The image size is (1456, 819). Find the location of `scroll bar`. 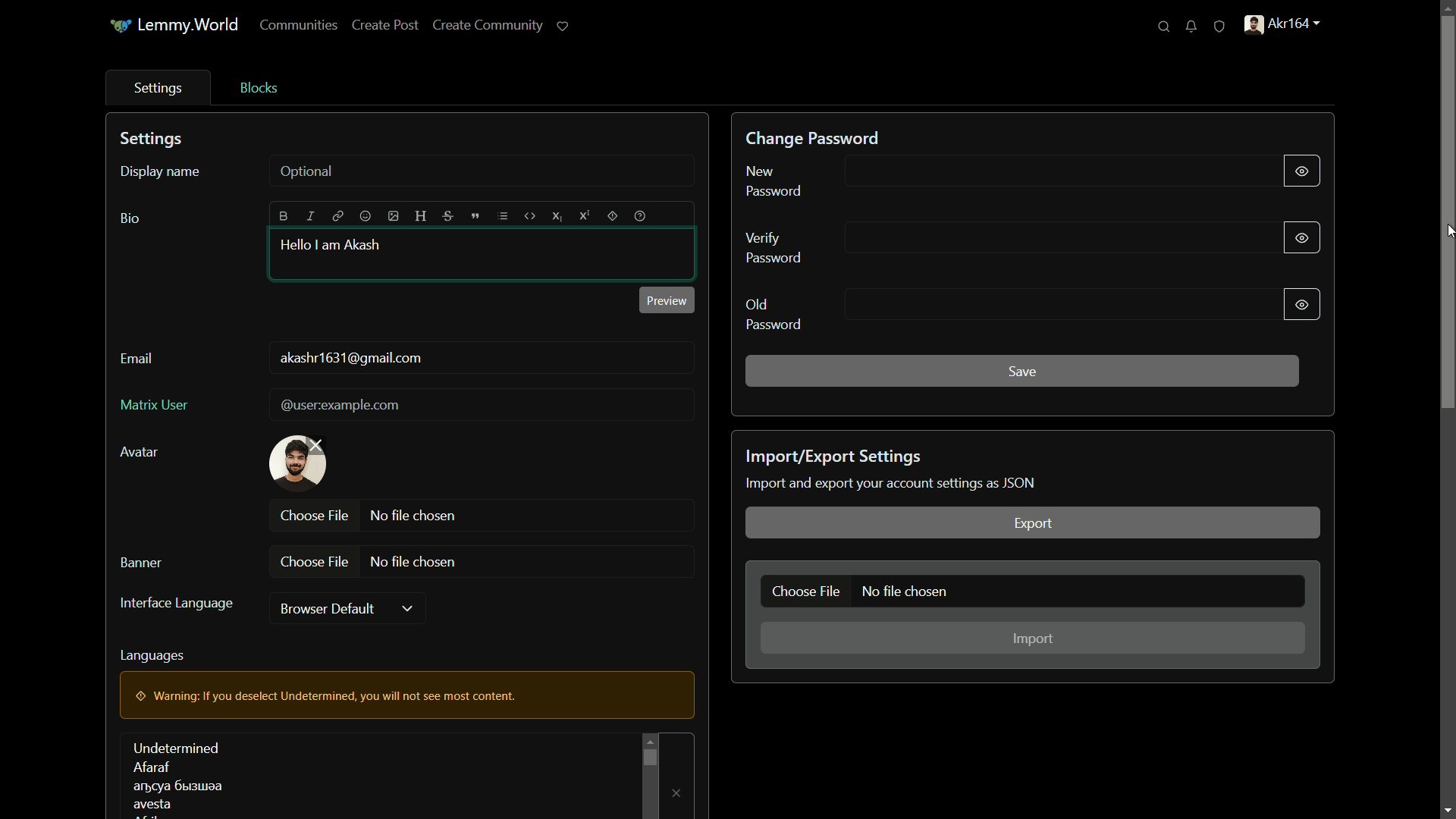

scroll bar is located at coordinates (1447, 211).